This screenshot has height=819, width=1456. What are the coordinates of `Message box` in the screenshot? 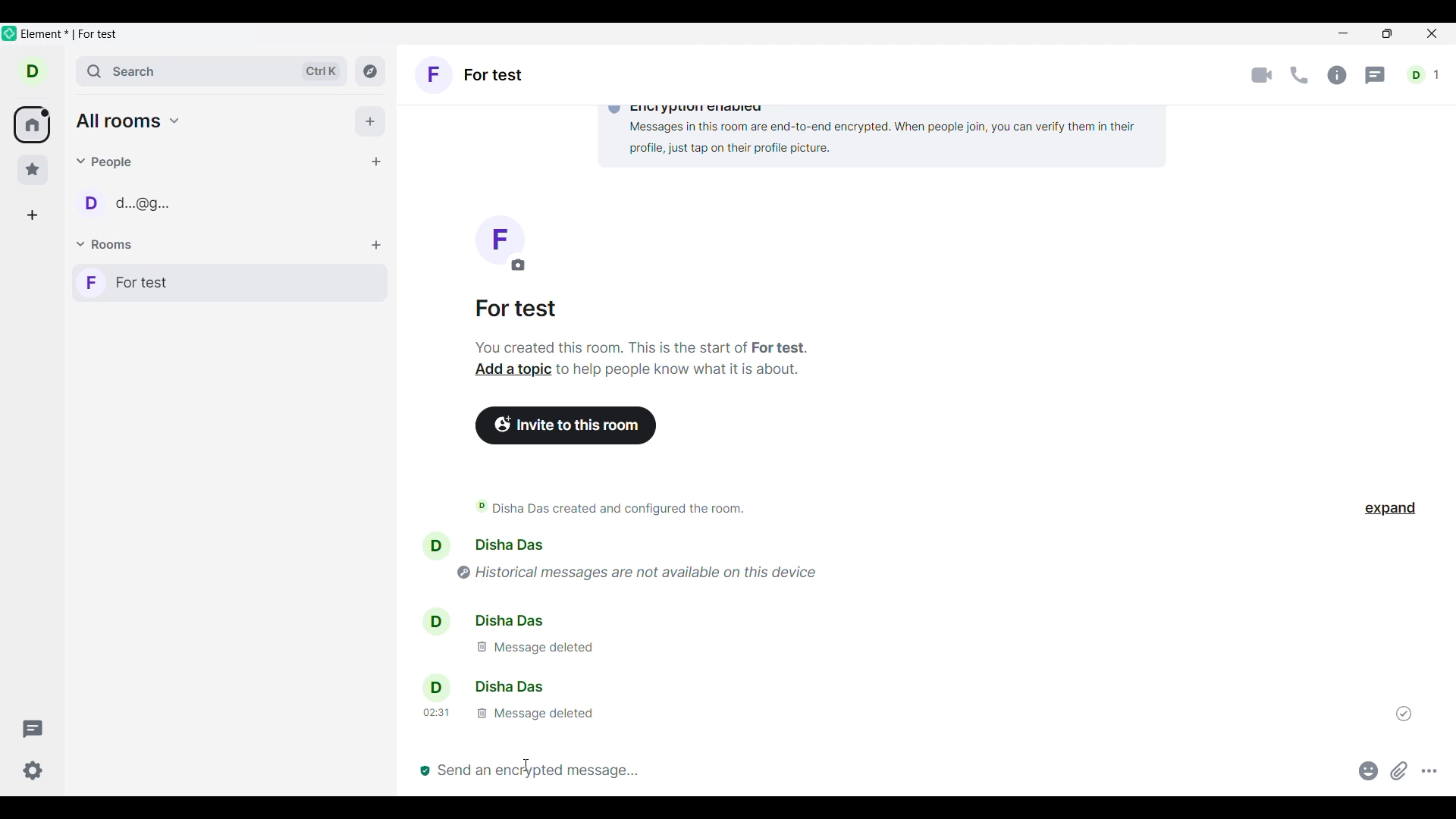 It's located at (896, 775).